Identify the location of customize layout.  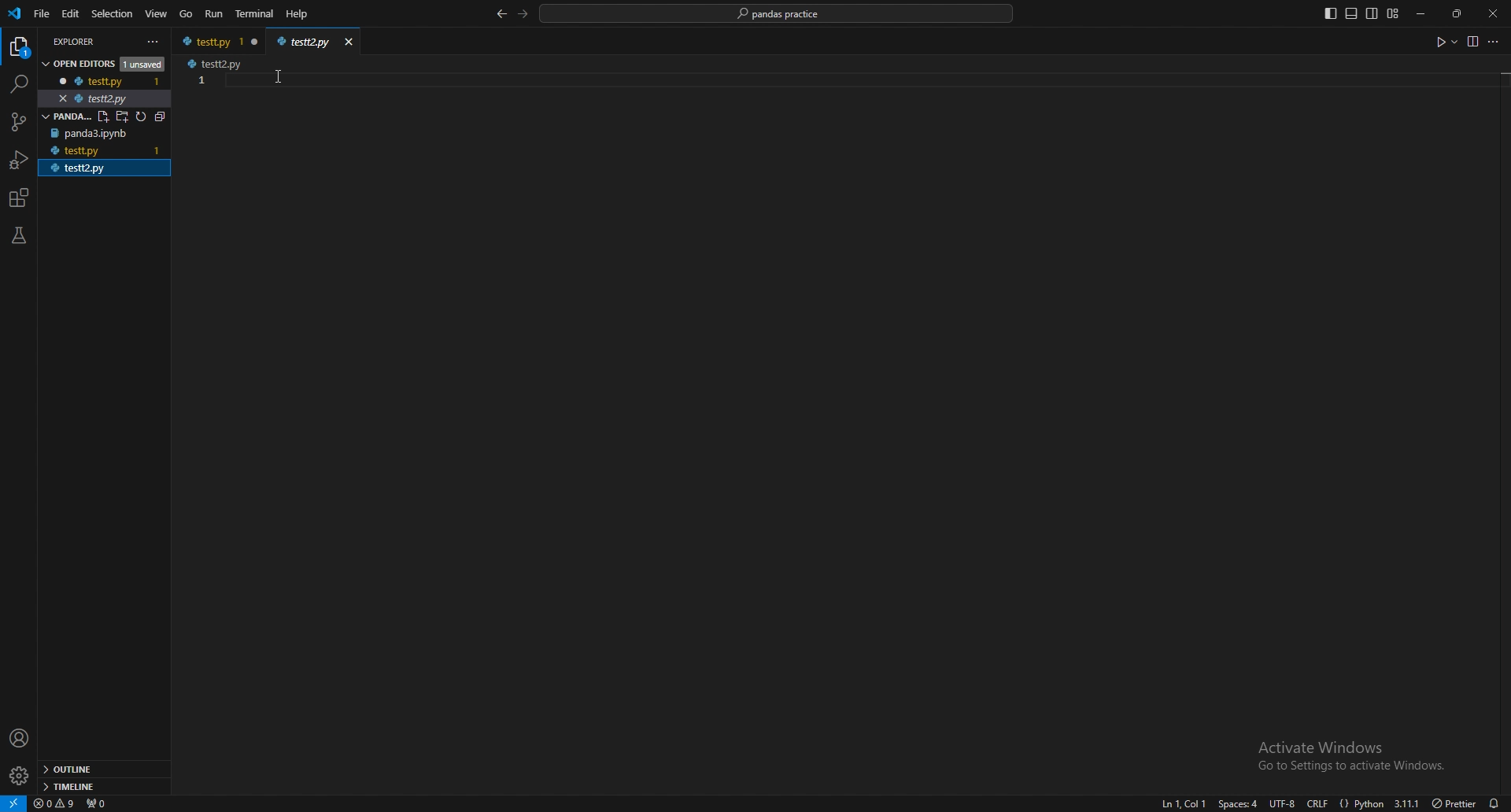
(1392, 14).